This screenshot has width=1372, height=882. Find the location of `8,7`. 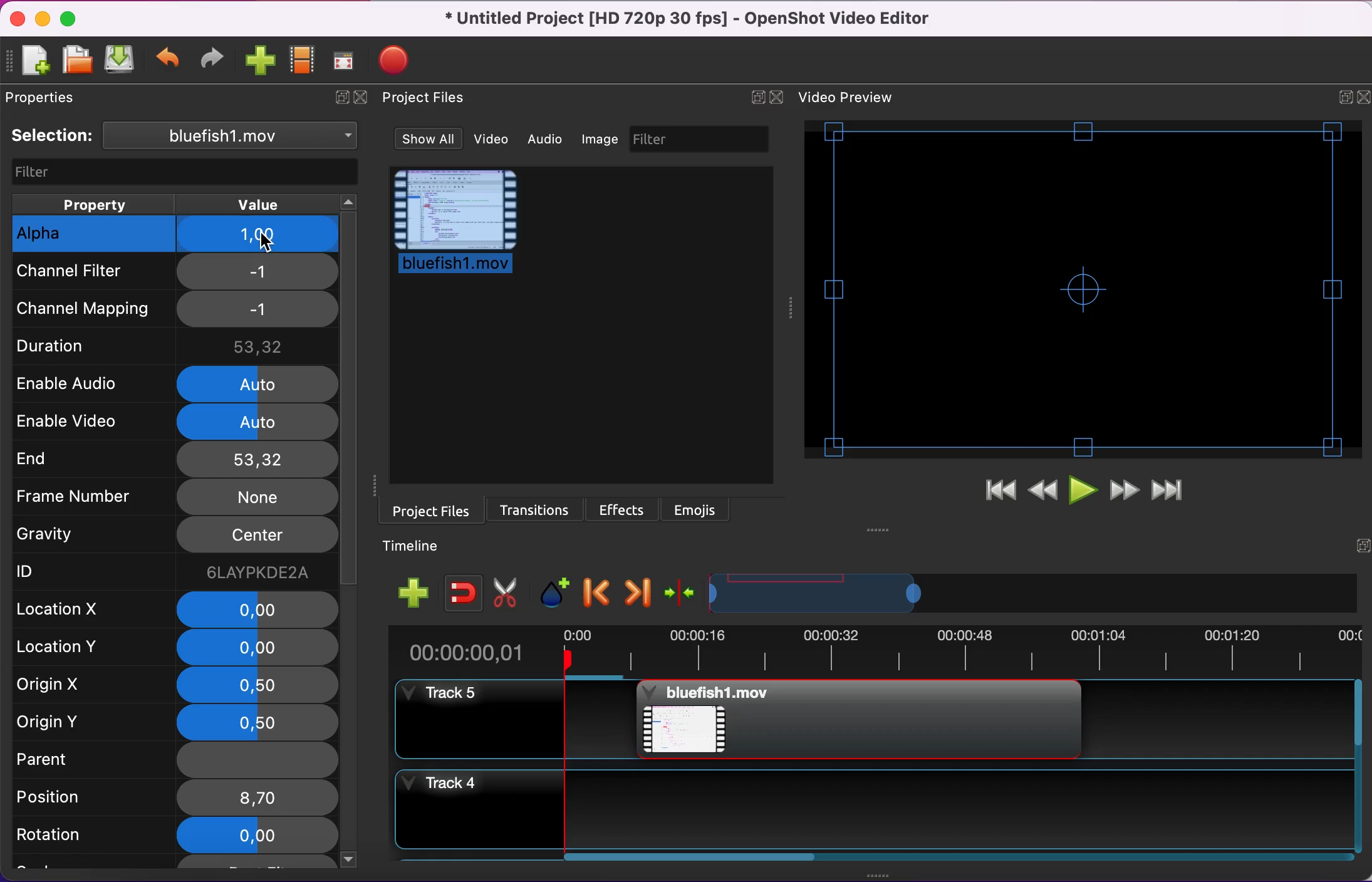

8,7 is located at coordinates (255, 798).